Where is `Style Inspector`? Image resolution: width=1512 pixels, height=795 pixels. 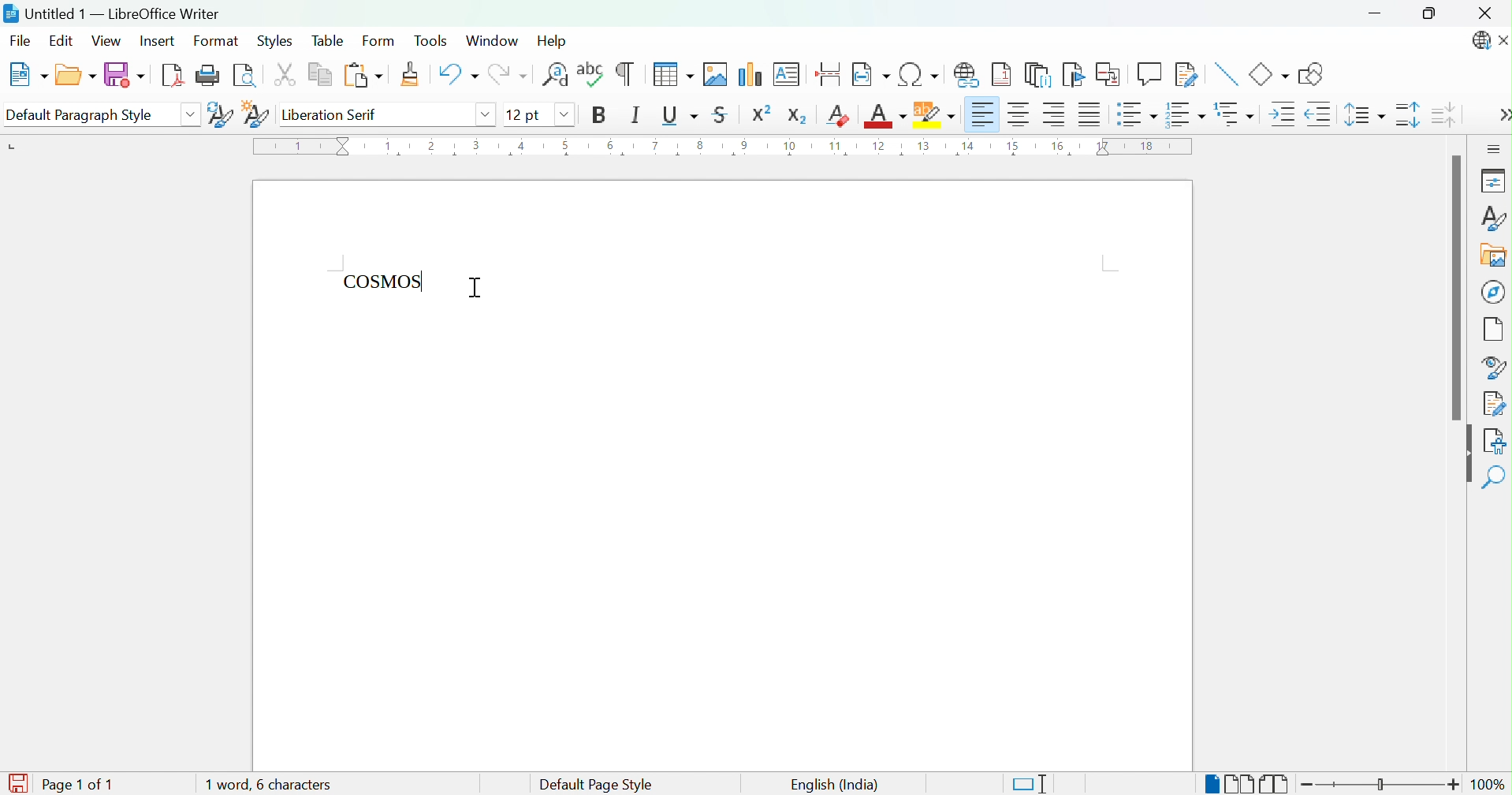
Style Inspector is located at coordinates (1494, 366).